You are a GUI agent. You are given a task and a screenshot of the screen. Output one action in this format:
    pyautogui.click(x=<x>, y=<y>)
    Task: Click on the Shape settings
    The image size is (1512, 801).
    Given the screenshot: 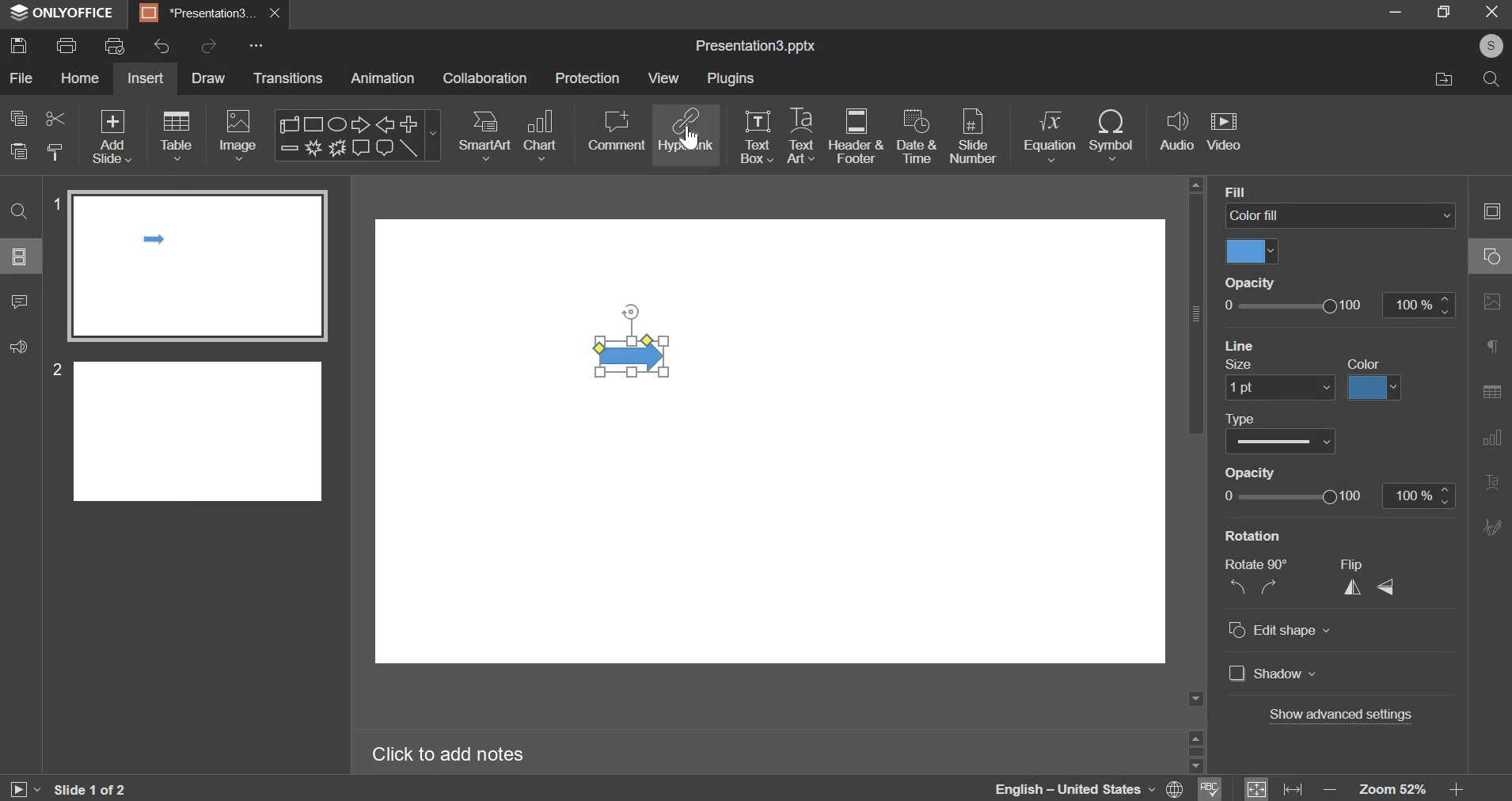 What is the action you would take?
    pyautogui.click(x=1491, y=256)
    